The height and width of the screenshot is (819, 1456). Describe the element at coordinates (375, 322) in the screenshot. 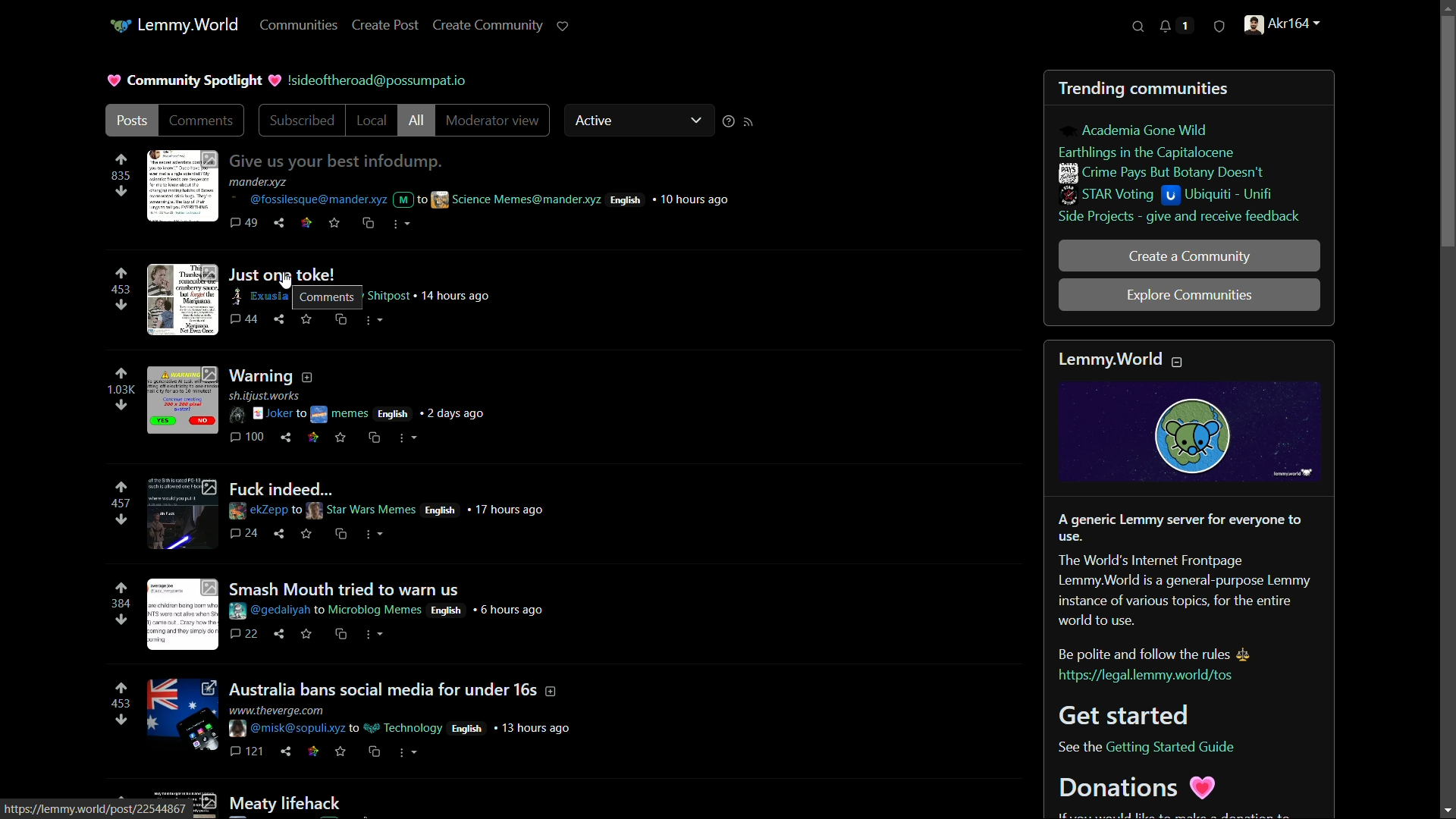

I see `more actions` at that location.